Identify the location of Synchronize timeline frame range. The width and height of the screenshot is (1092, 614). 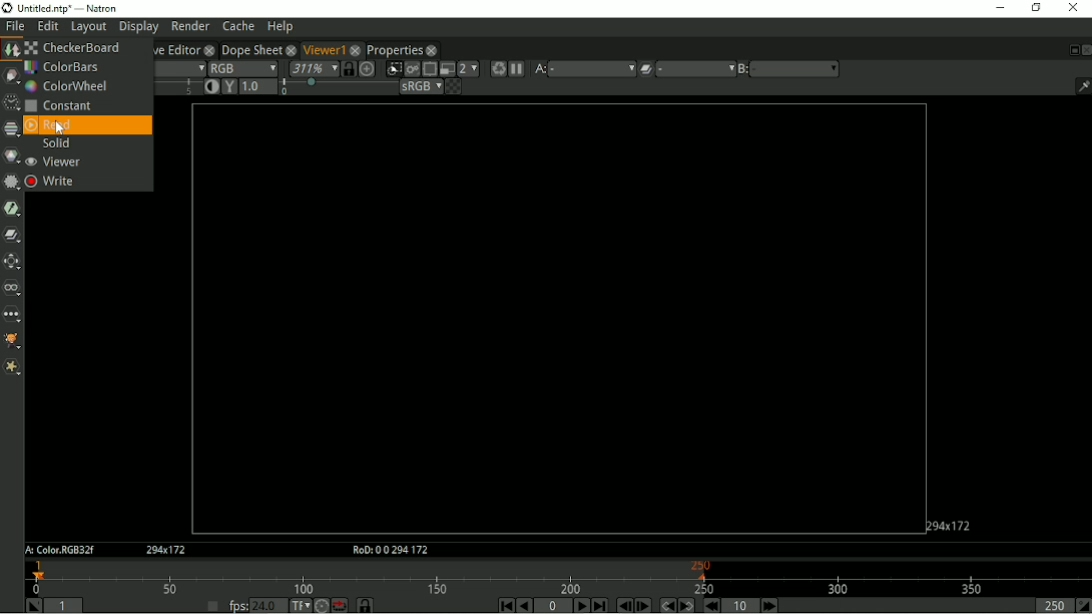
(364, 605).